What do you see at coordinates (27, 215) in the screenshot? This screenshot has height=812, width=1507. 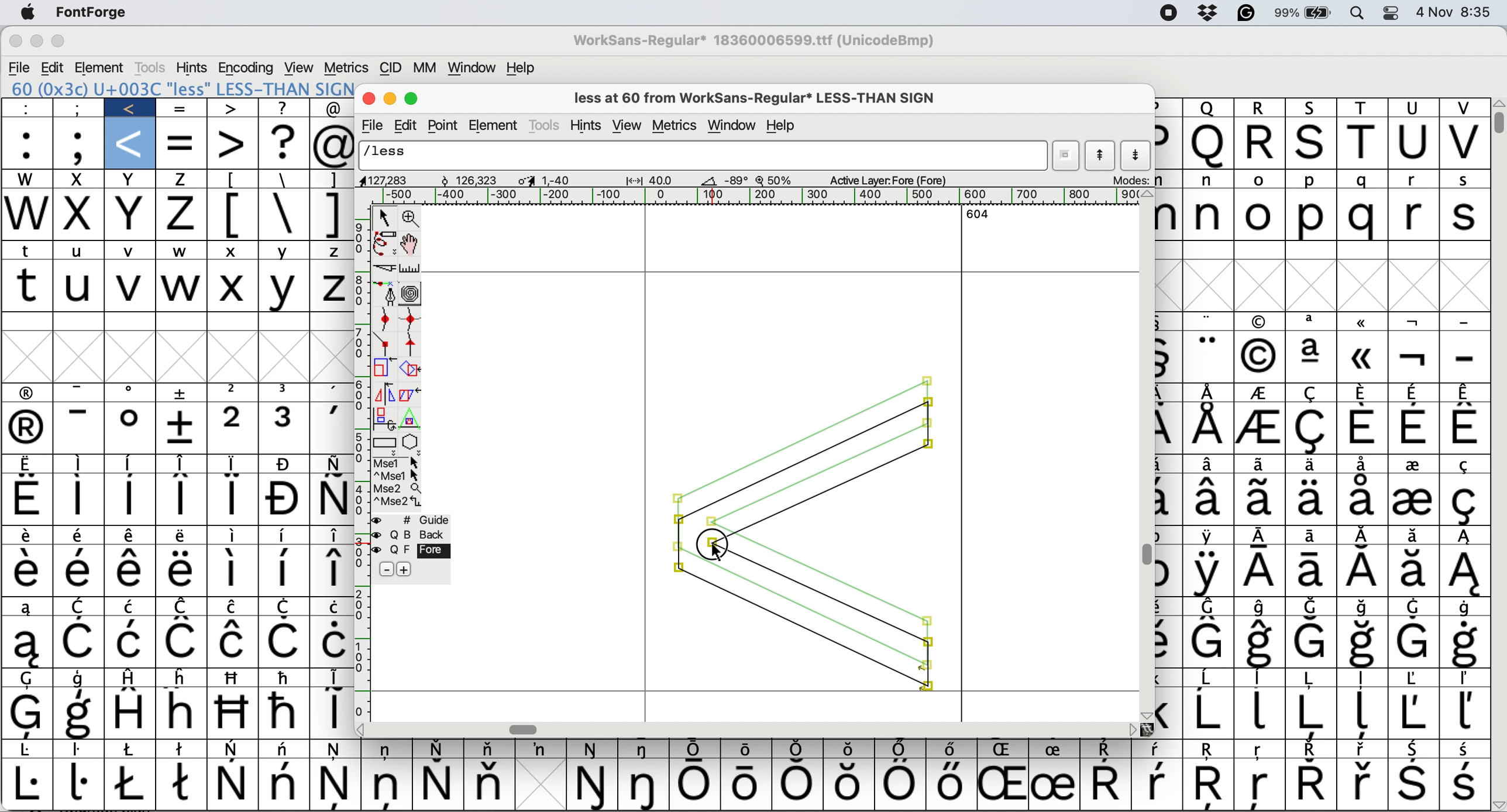 I see `w` at bounding box center [27, 215].